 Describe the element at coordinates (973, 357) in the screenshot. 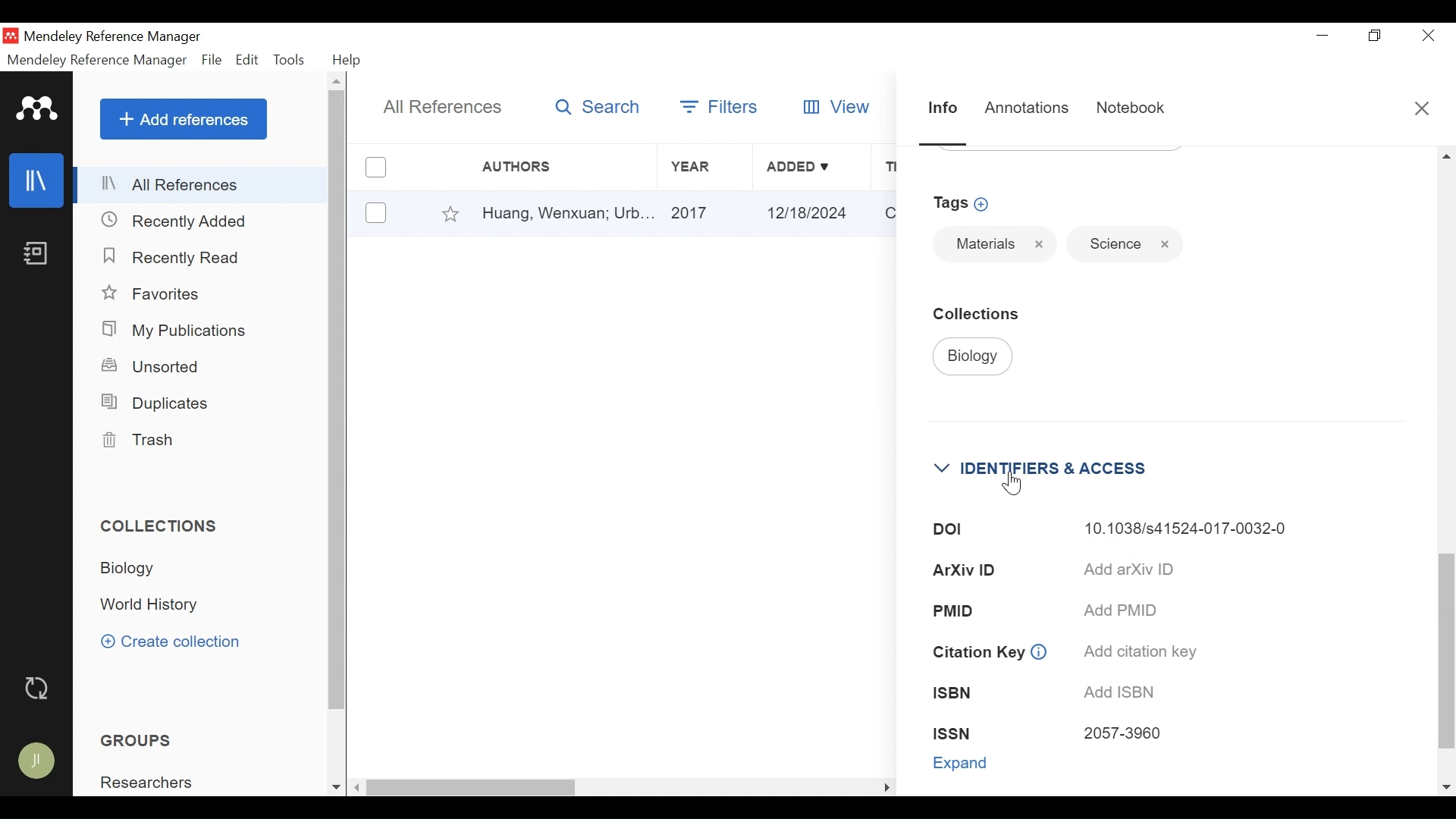

I see `Biology` at that location.